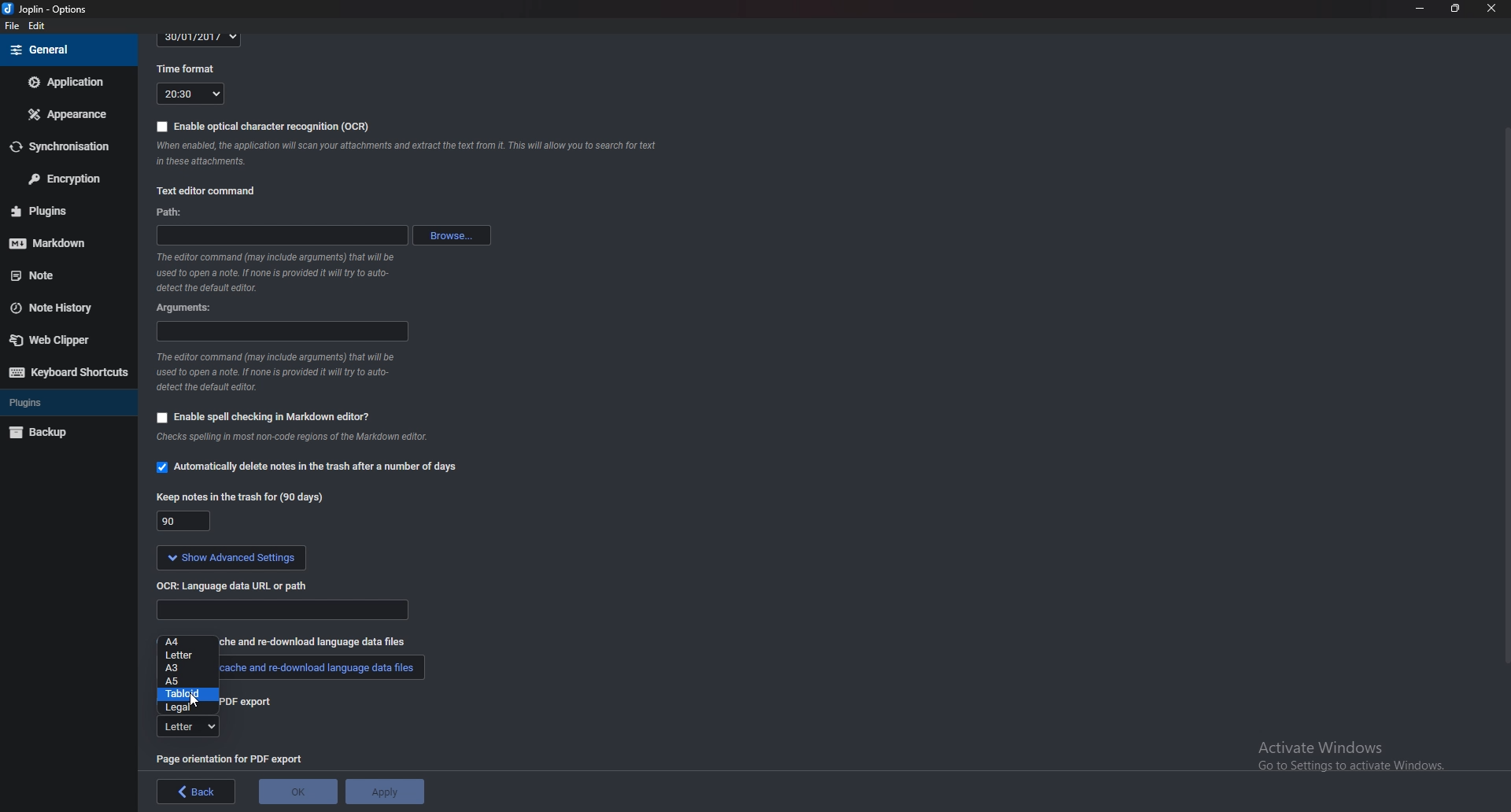 The image size is (1511, 812). I want to click on Language data, so click(284, 610).